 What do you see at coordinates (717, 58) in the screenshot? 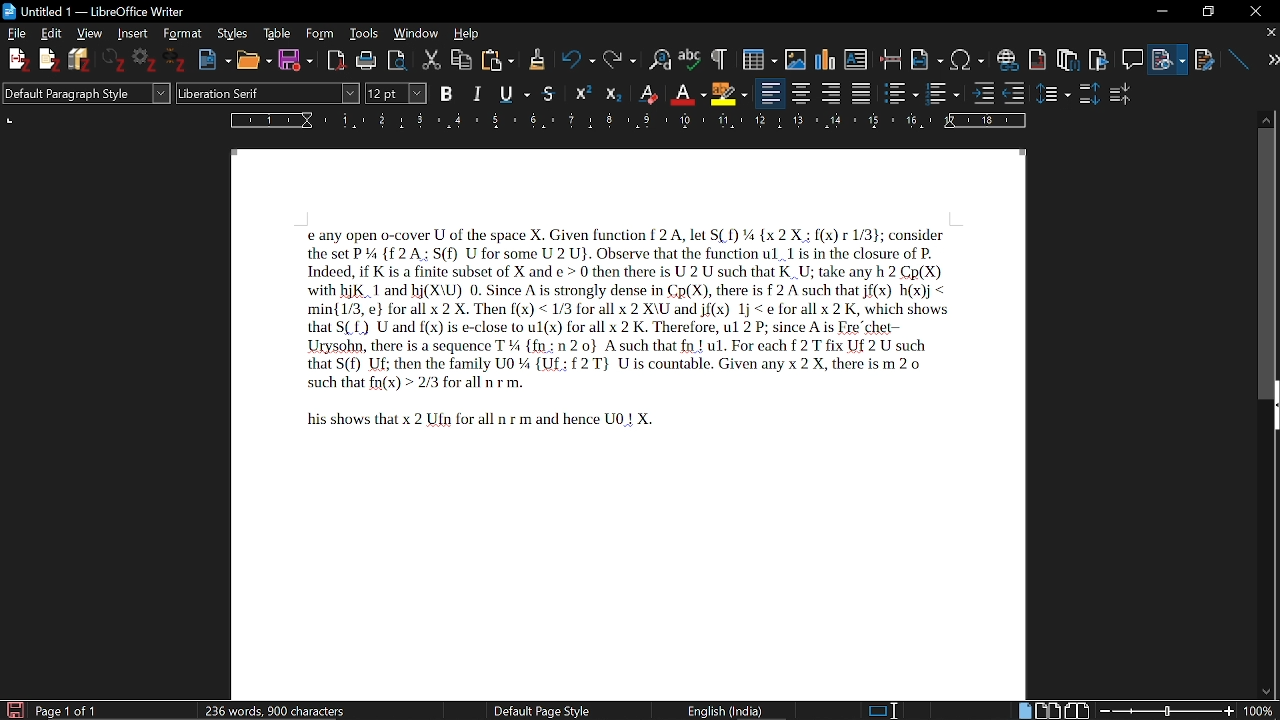
I see `` at bounding box center [717, 58].